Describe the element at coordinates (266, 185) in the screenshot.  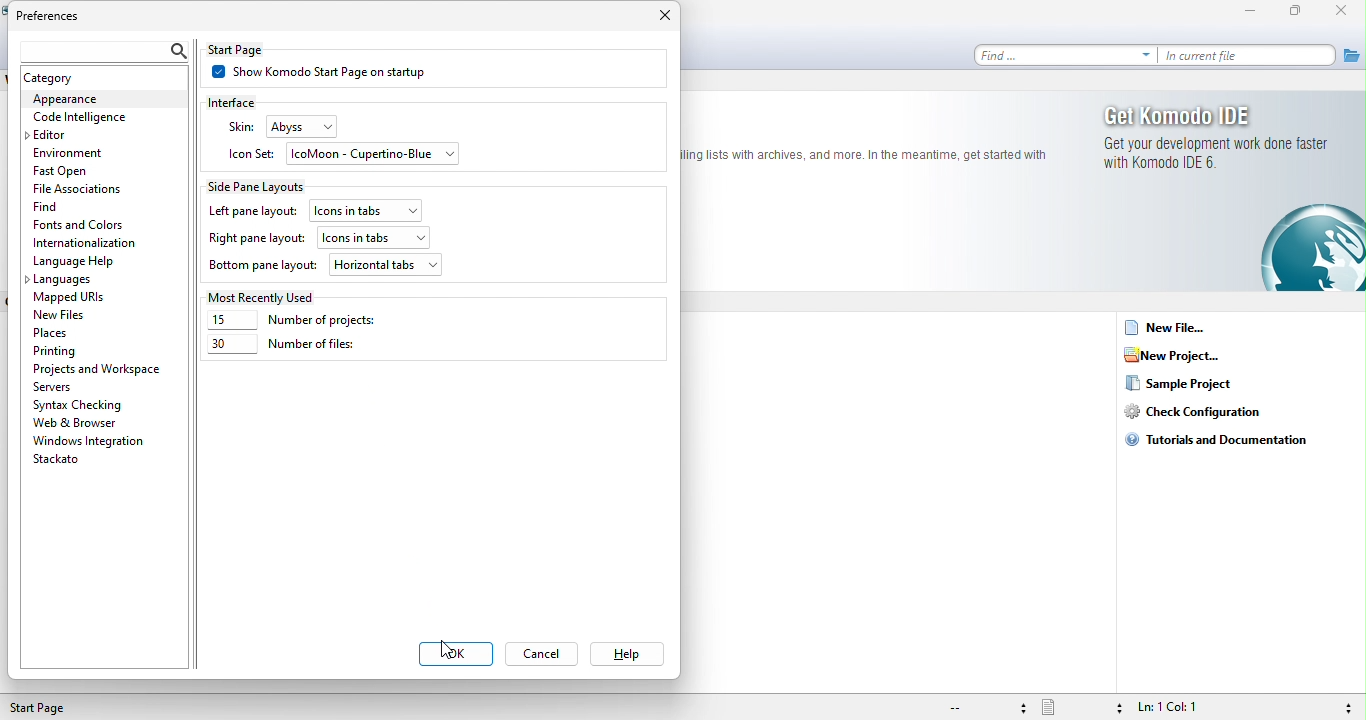
I see `side pane layouts` at that location.